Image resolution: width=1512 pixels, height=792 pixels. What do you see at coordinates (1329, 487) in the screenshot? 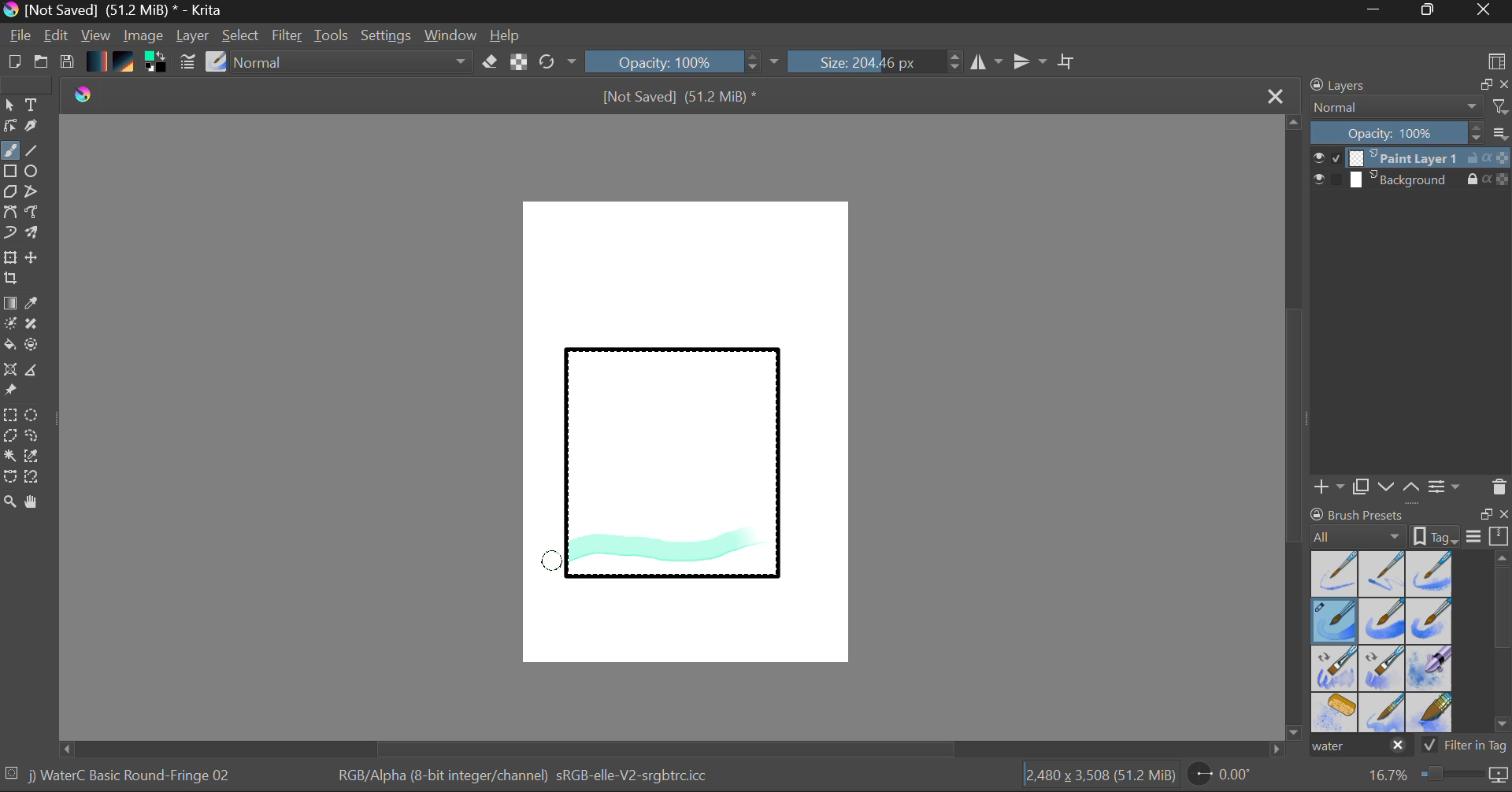
I see `Add Layer` at bounding box center [1329, 487].